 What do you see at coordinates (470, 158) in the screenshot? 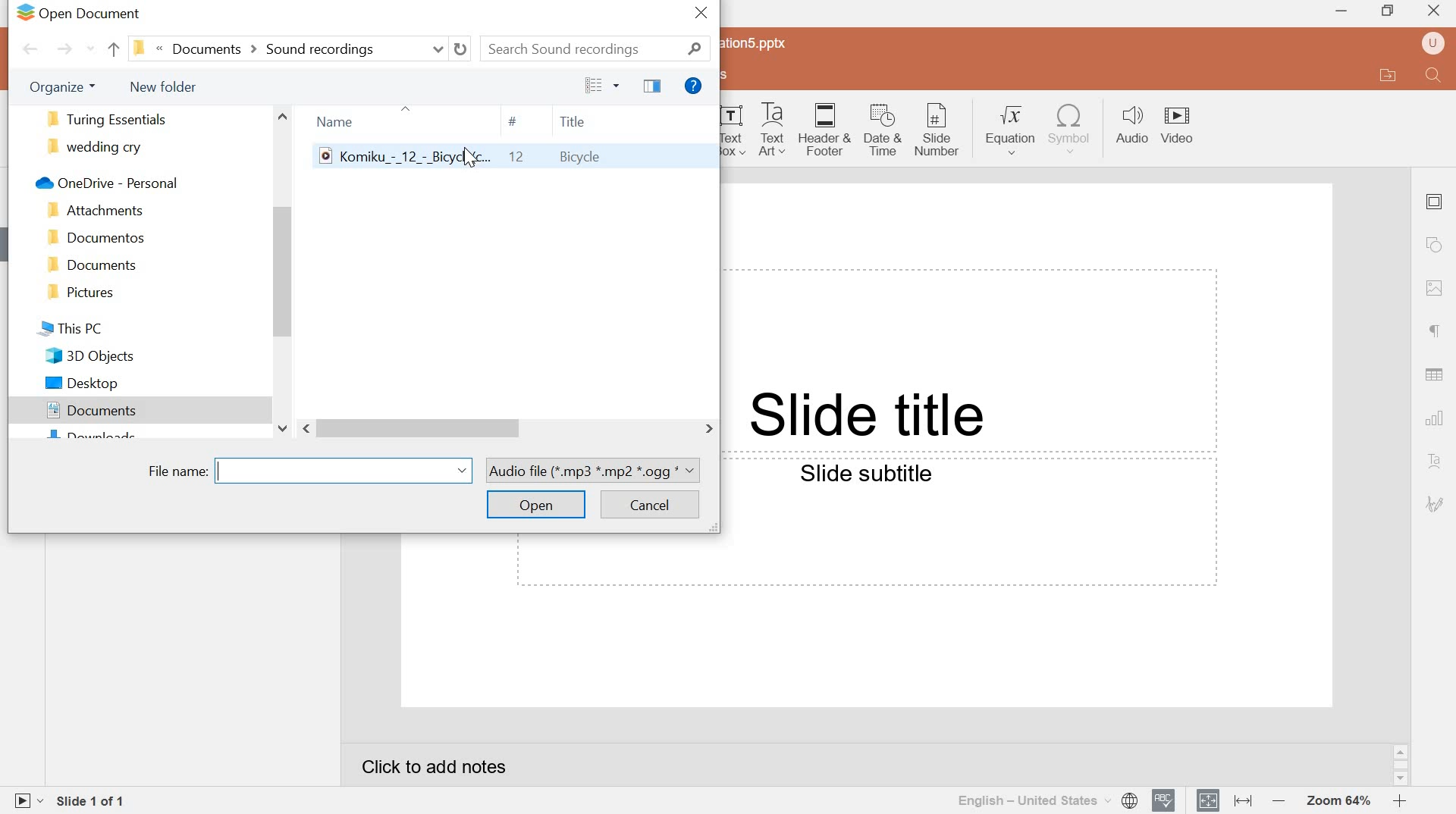
I see `cursor` at bounding box center [470, 158].